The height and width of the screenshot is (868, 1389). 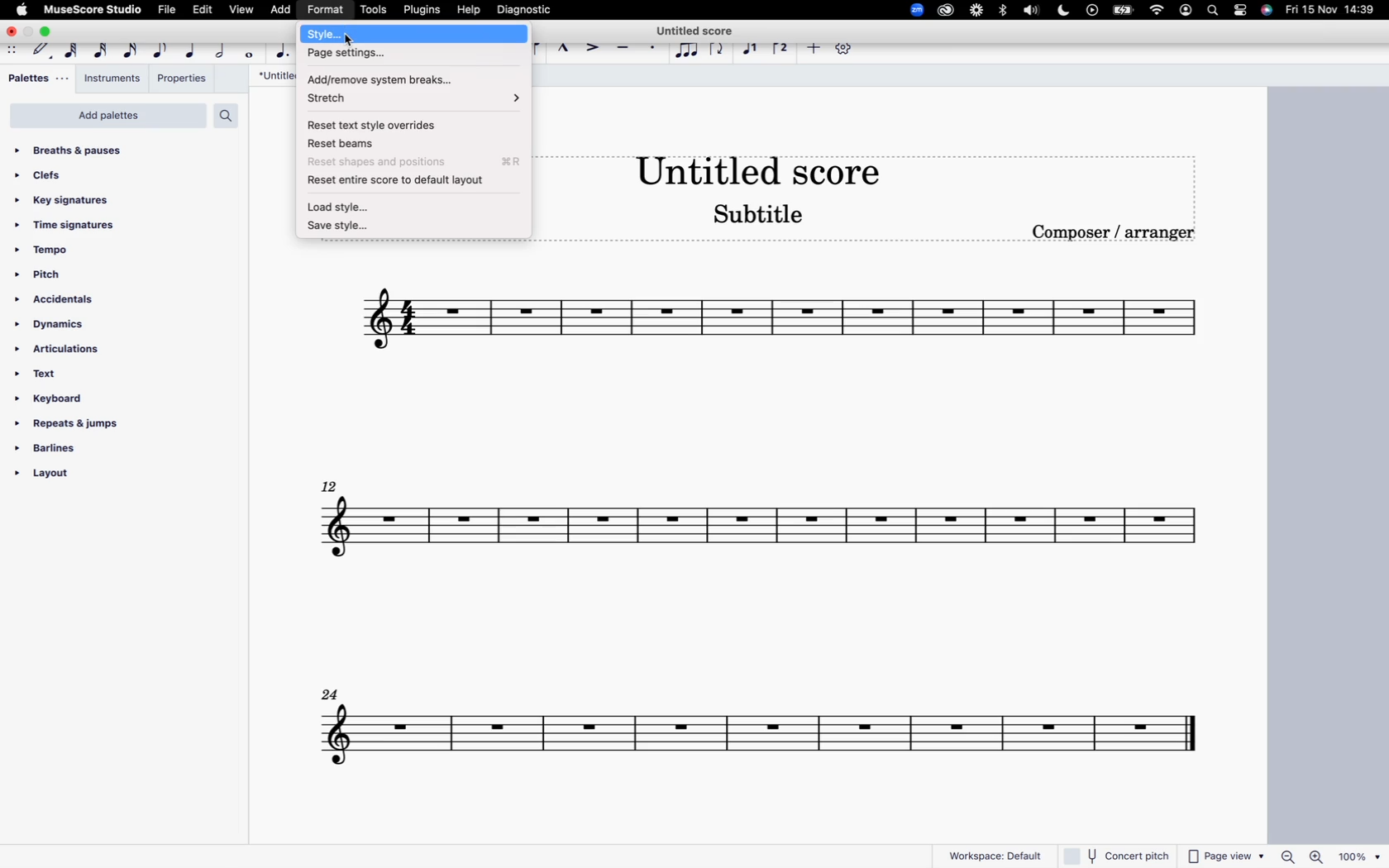 What do you see at coordinates (55, 176) in the screenshot?
I see `clefs` at bounding box center [55, 176].